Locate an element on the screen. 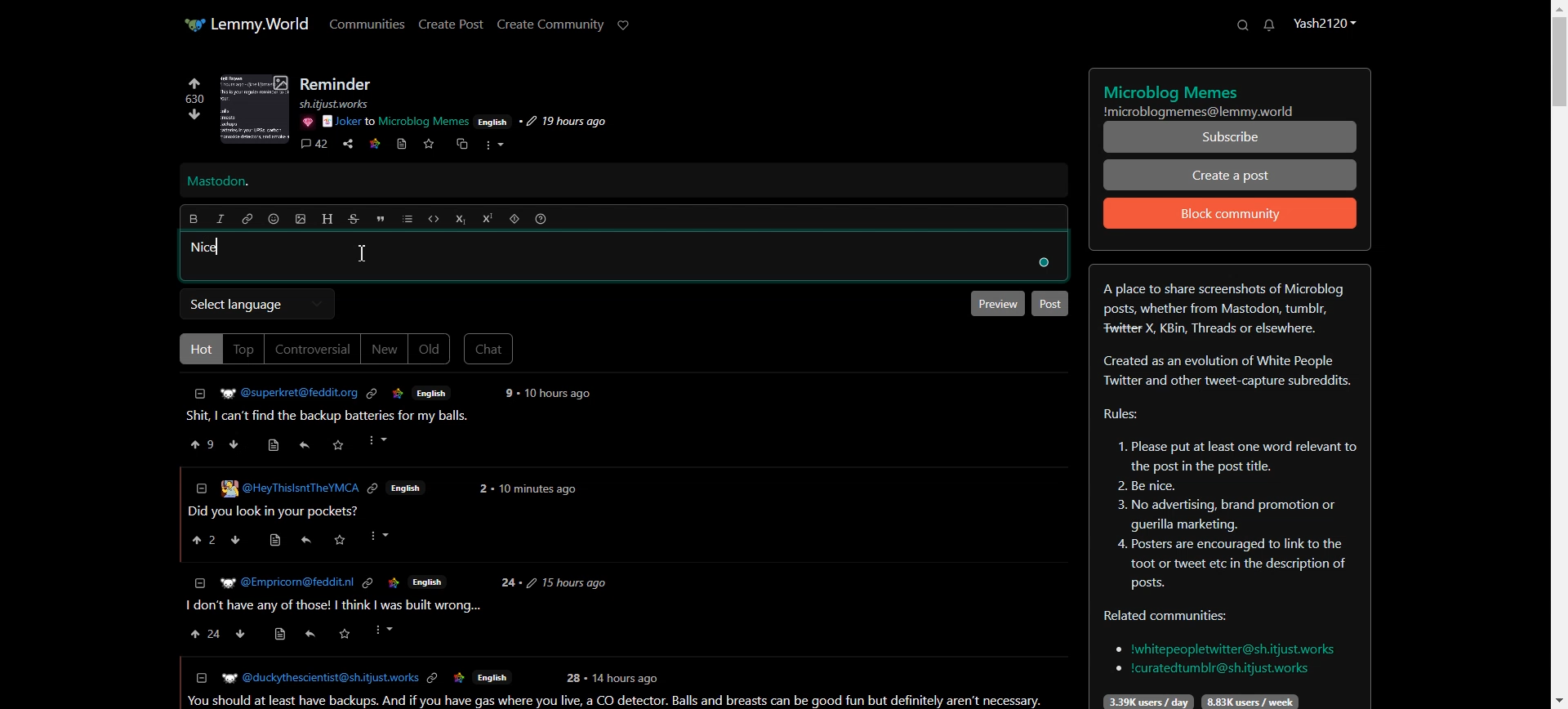 Image resolution: width=1568 pixels, height=709 pixels. Insert picture is located at coordinates (301, 220).